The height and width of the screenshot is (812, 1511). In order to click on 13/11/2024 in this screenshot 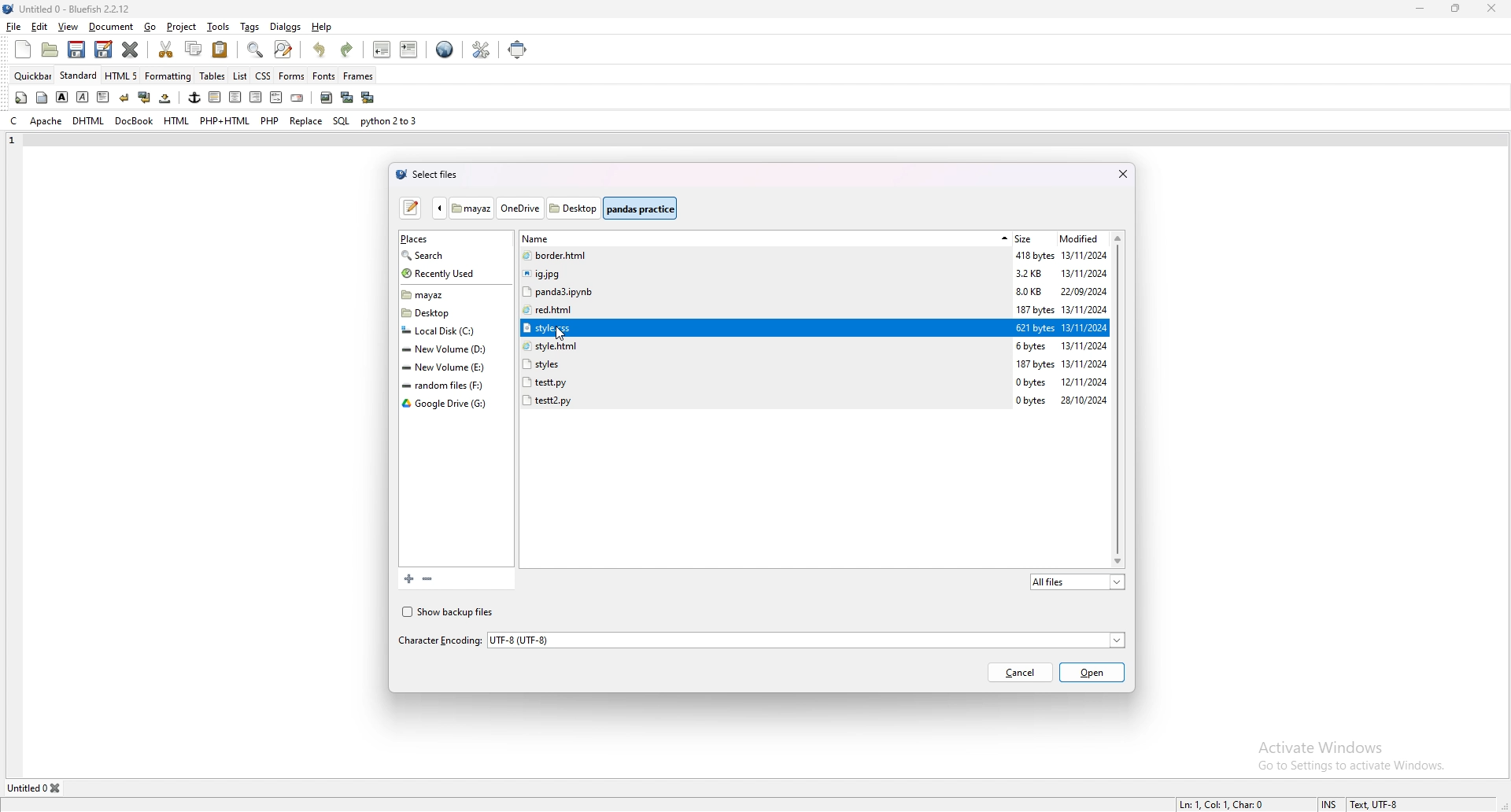, I will do `click(1084, 345)`.